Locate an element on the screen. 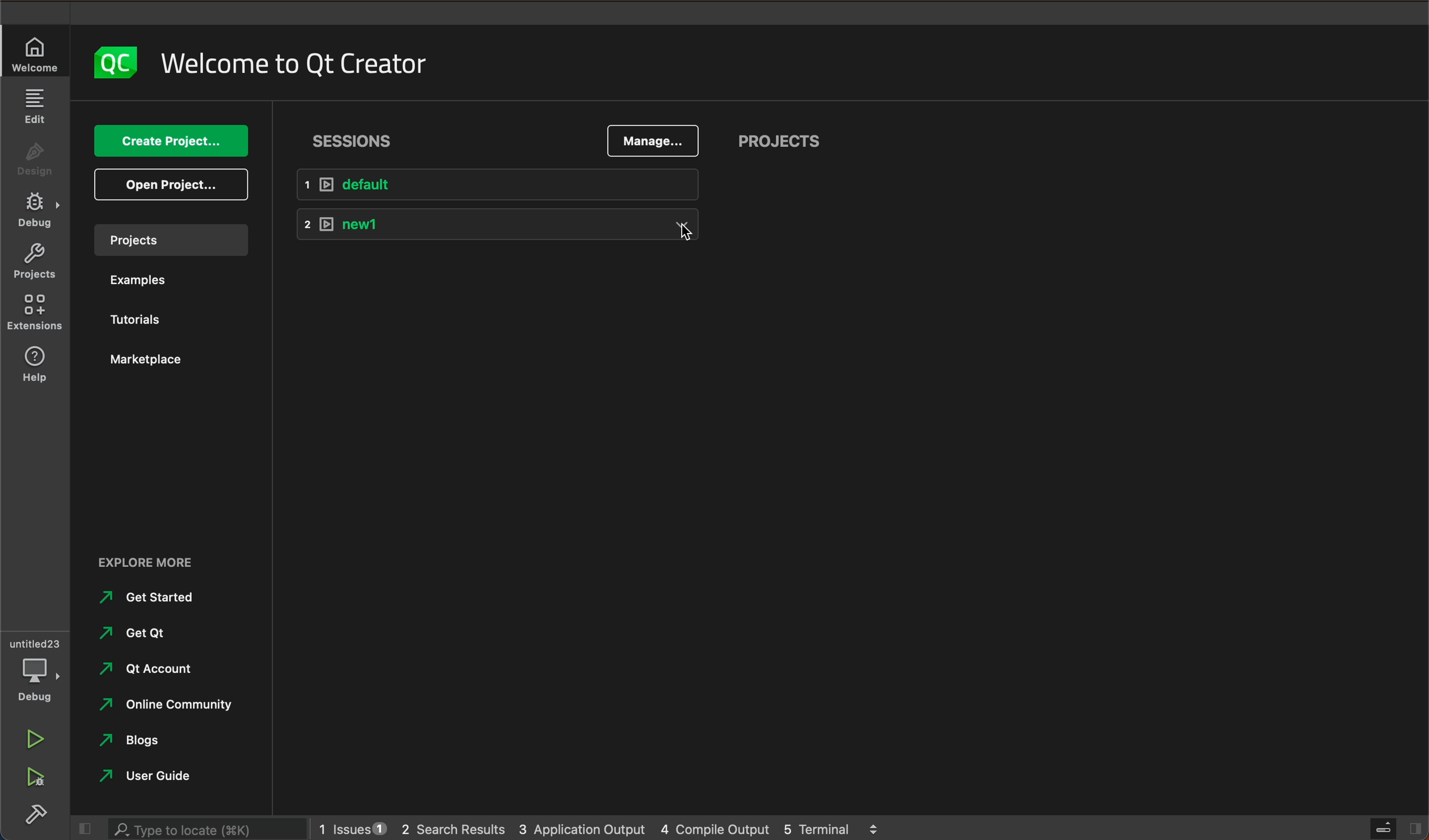 This screenshot has width=1429, height=840. cursor is located at coordinates (692, 235).